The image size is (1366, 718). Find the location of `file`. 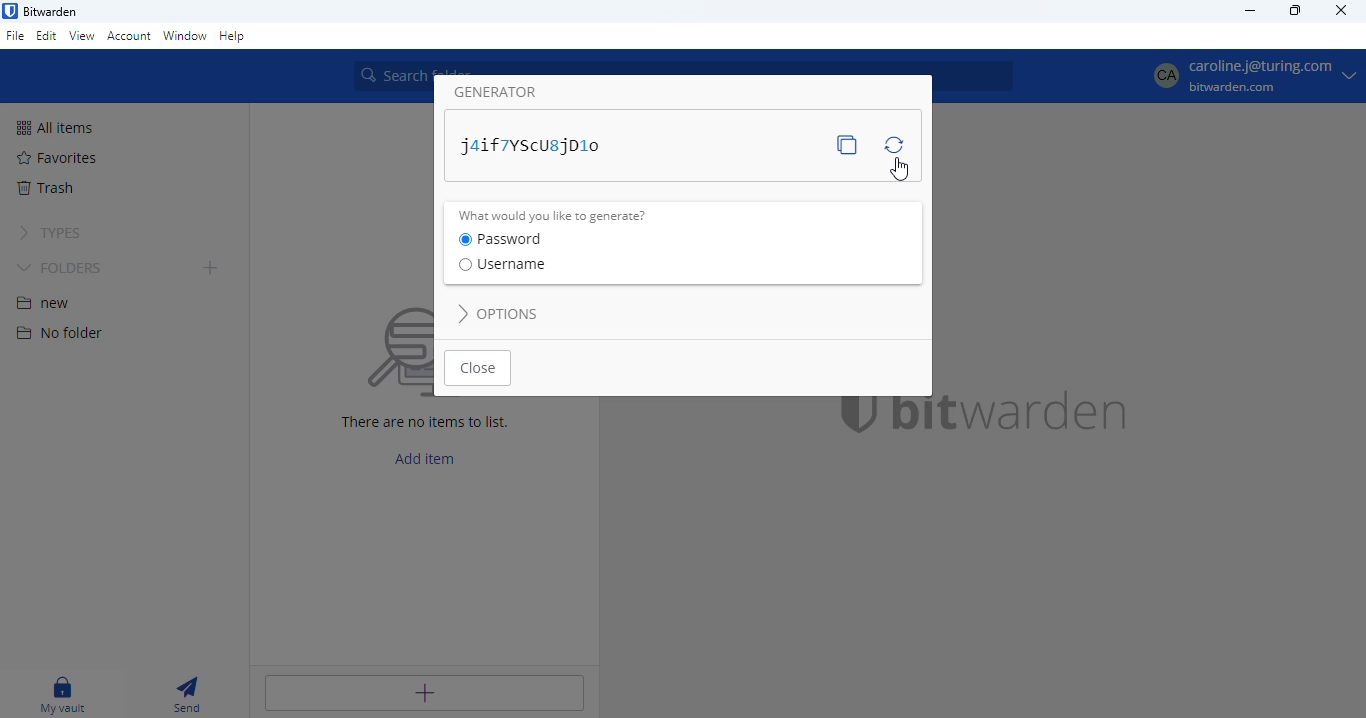

file is located at coordinates (15, 35).